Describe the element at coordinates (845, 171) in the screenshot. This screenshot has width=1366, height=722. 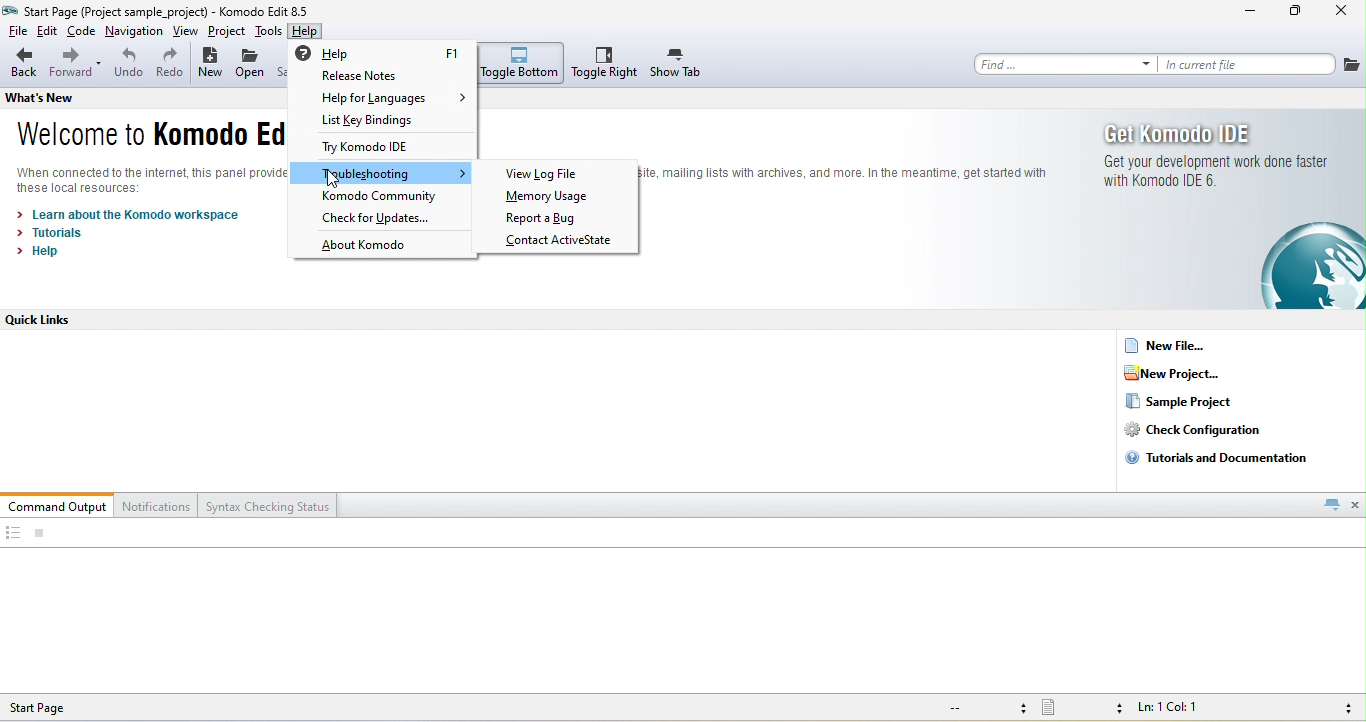
I see `text` at that location.